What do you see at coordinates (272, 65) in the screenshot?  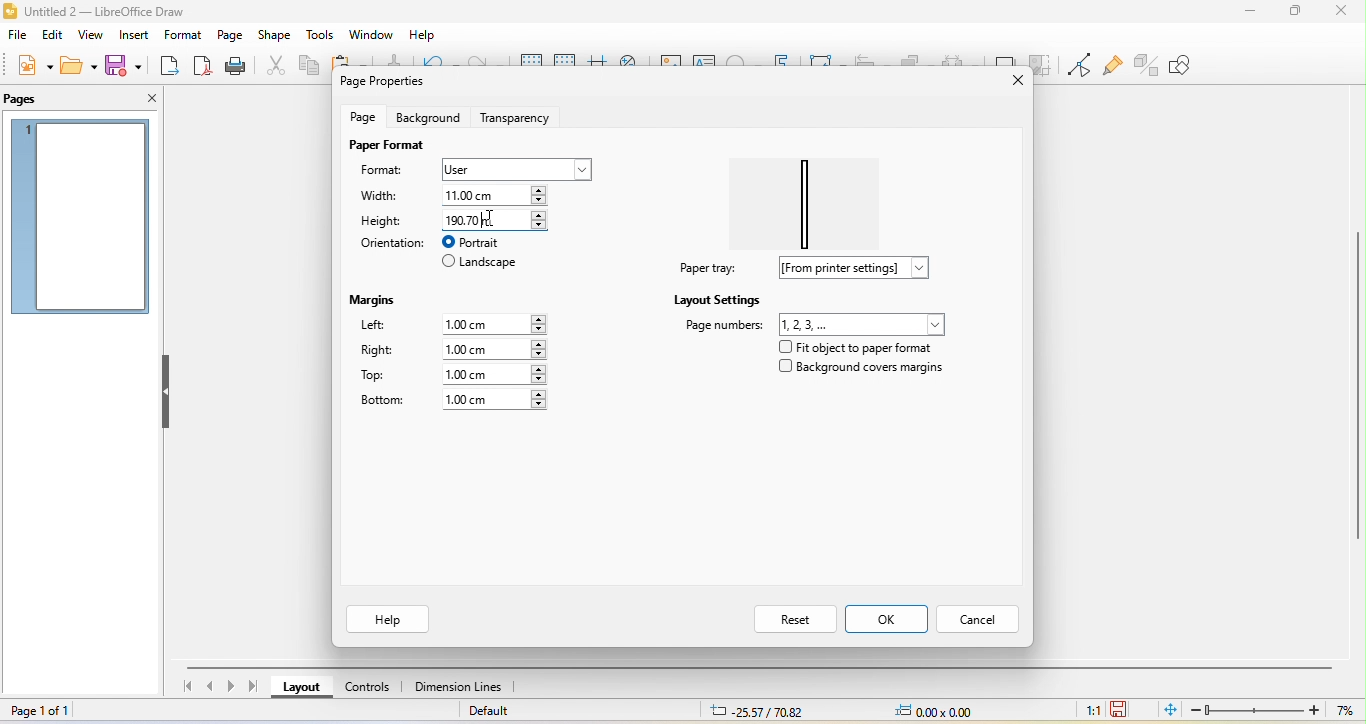 I see `cut` at bounding box center [272, 65].